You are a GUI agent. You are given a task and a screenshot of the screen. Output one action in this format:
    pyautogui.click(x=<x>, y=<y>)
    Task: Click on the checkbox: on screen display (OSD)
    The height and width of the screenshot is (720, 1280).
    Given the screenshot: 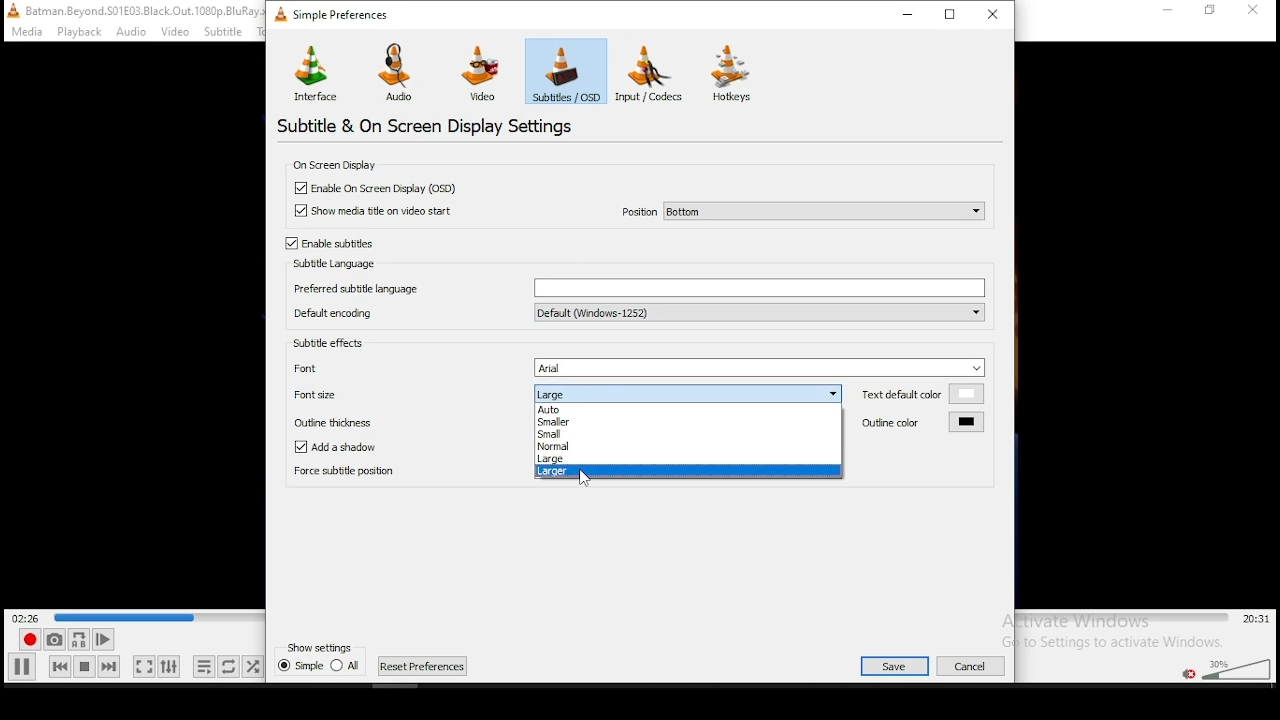 What is the action you would take?
    pyautogui.click(x=380, y=189)
    